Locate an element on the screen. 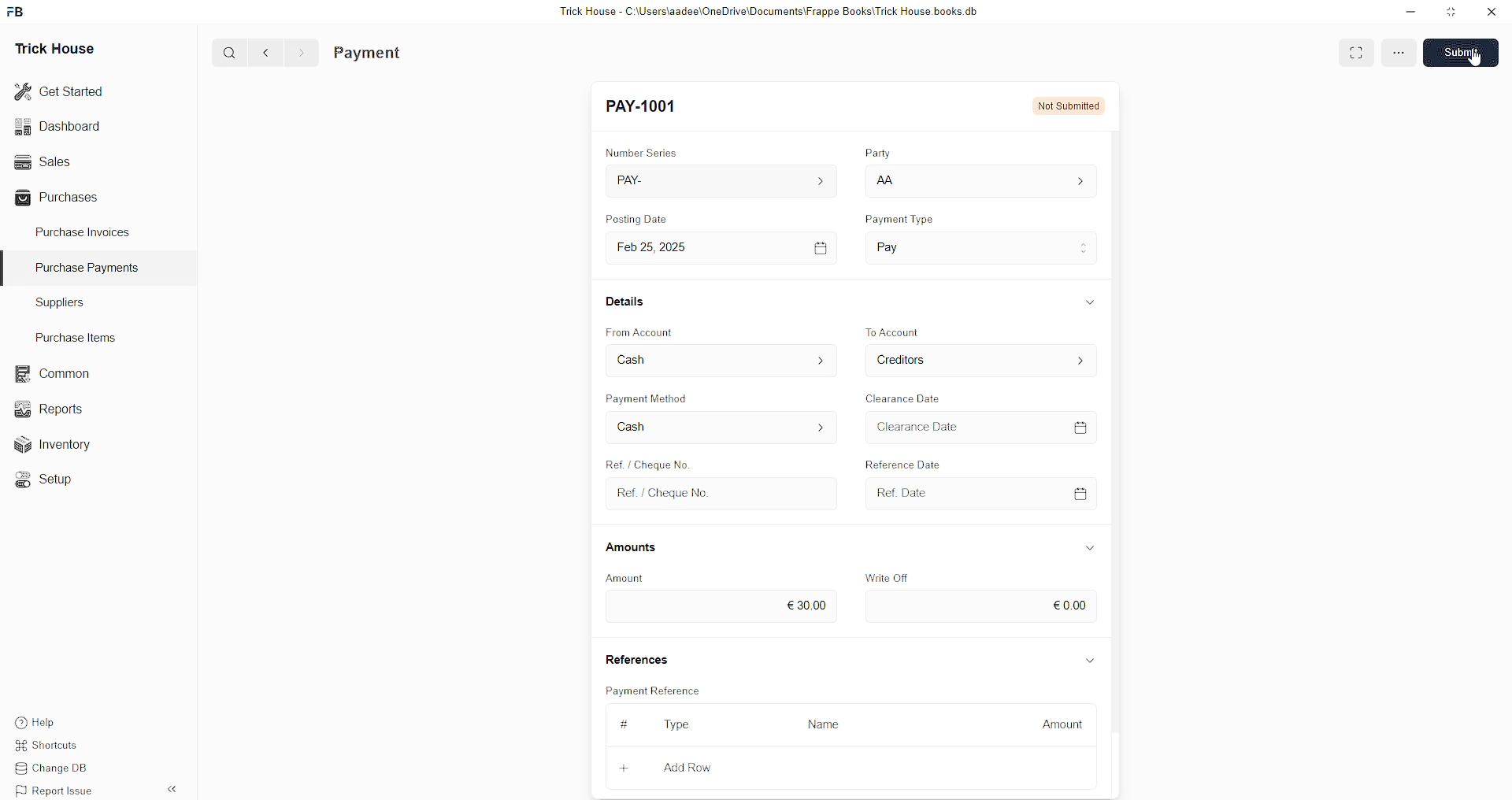  From Account is located at coordinates (651, 330).